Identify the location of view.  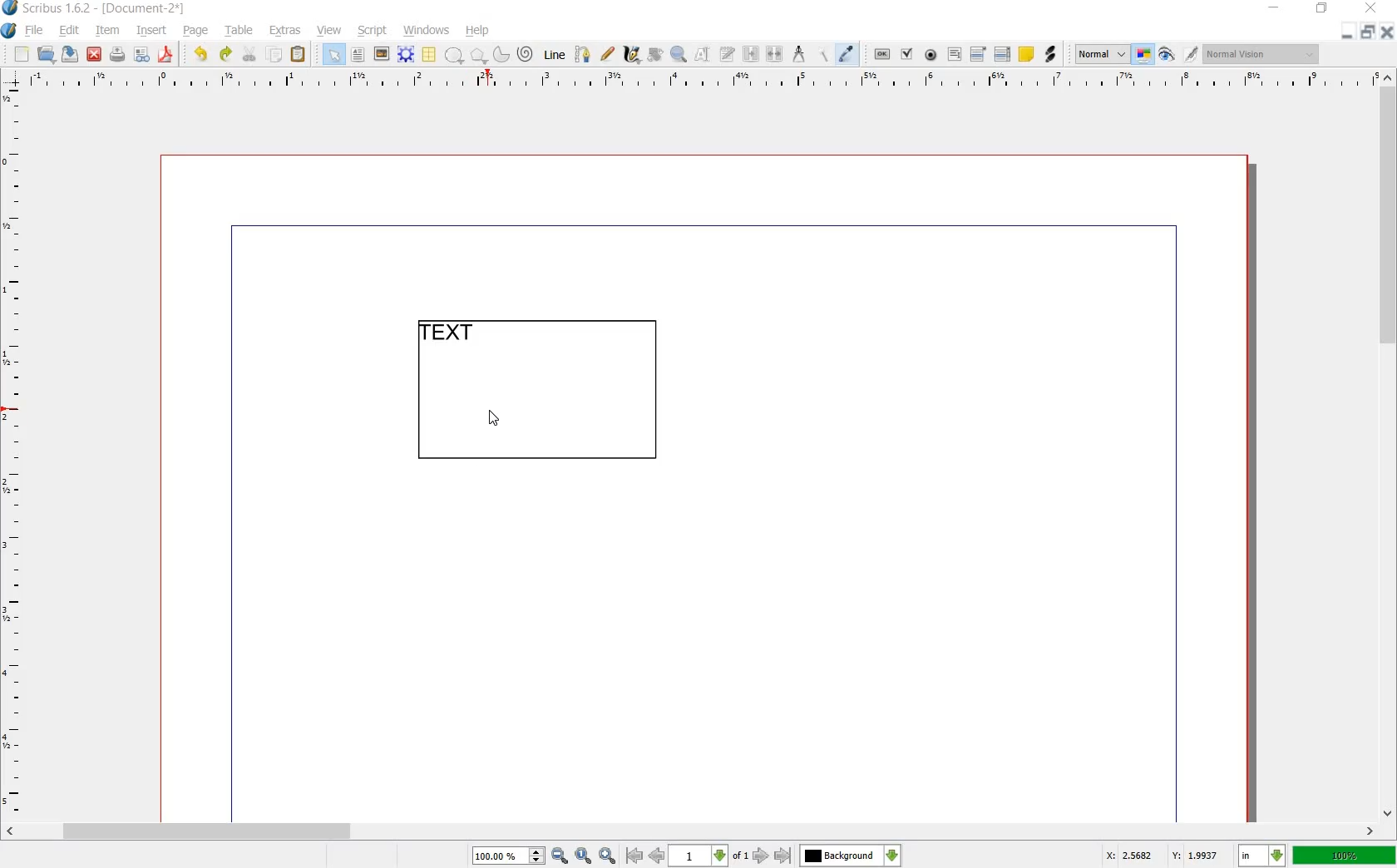
(330, 31).